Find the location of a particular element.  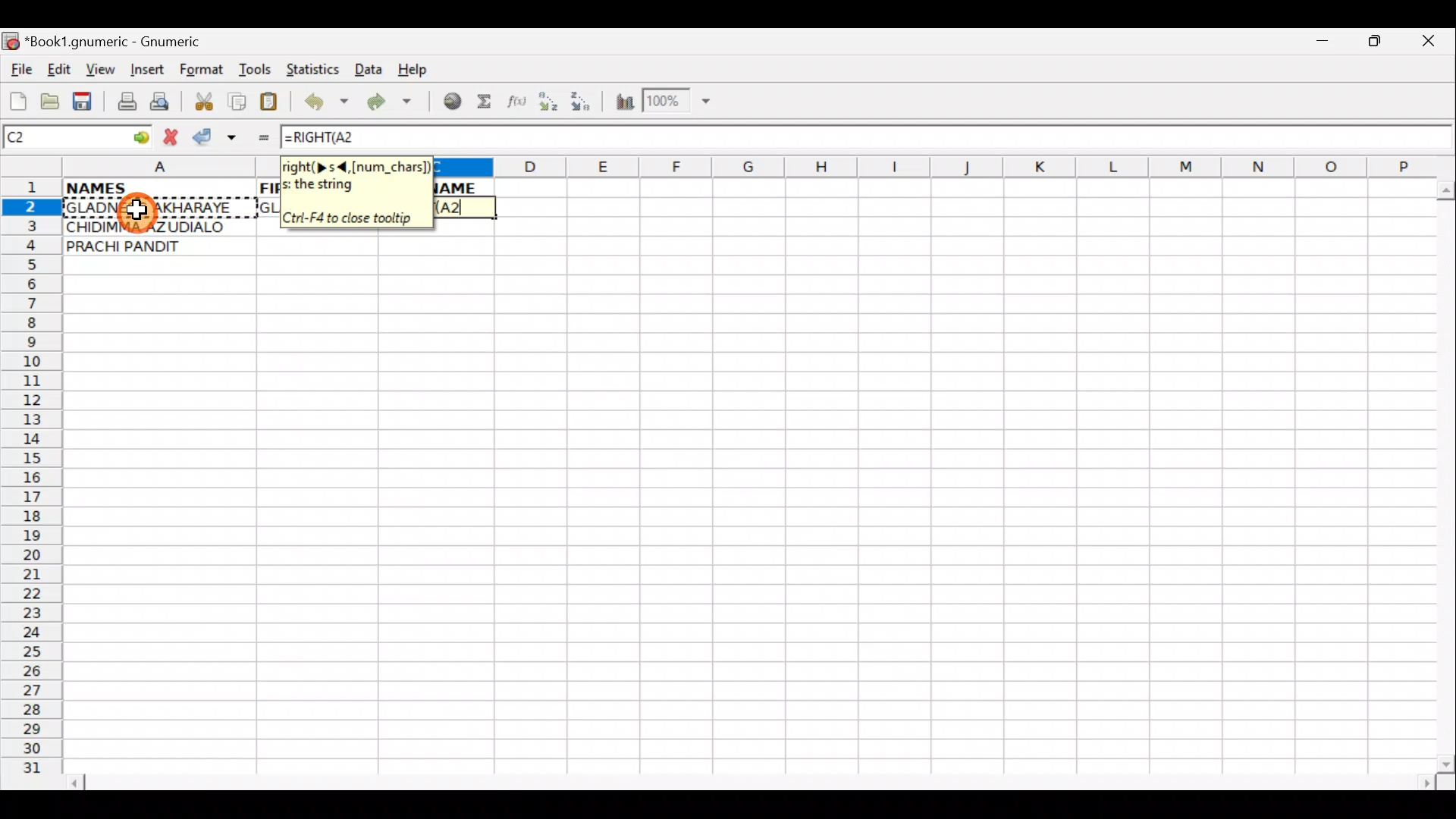

right(> s <, [num_chars])the string. Crtl+F4 to close tooltip is located at coordinates (355, 190).